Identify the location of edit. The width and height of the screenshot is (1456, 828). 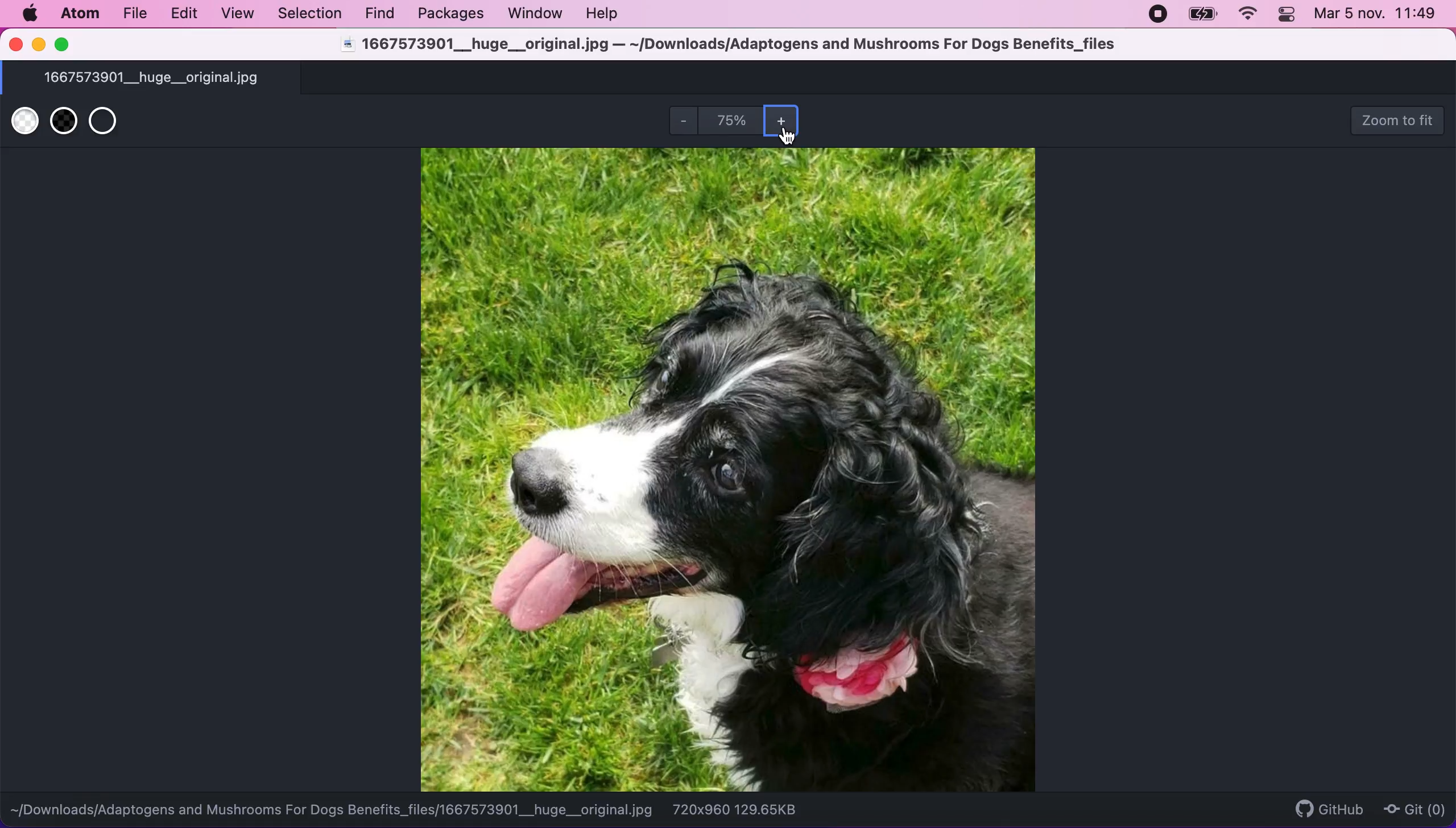
(187, 14).